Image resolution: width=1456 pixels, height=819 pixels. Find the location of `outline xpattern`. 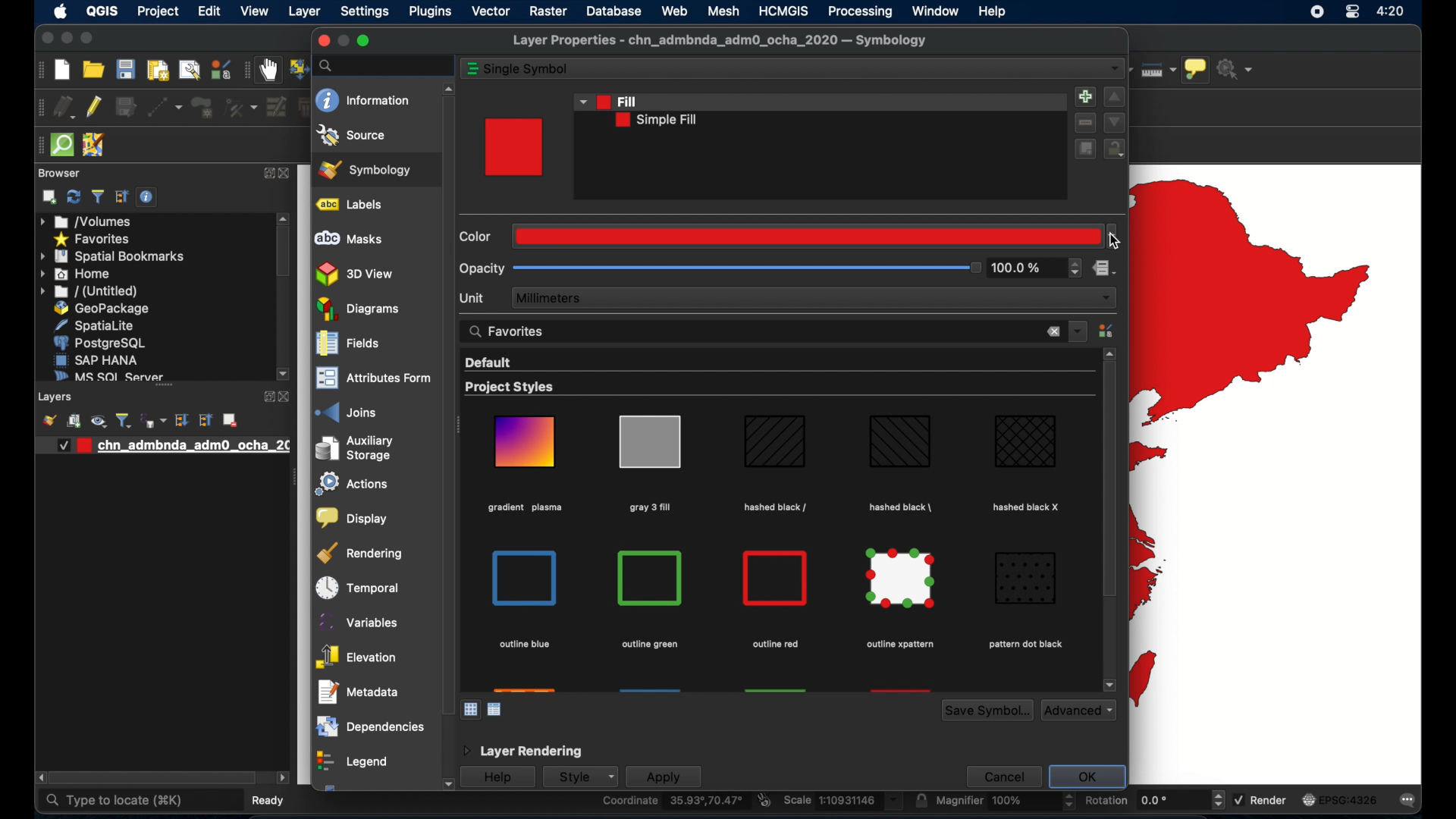

outline xpattern is located at coordinates (898, 645).